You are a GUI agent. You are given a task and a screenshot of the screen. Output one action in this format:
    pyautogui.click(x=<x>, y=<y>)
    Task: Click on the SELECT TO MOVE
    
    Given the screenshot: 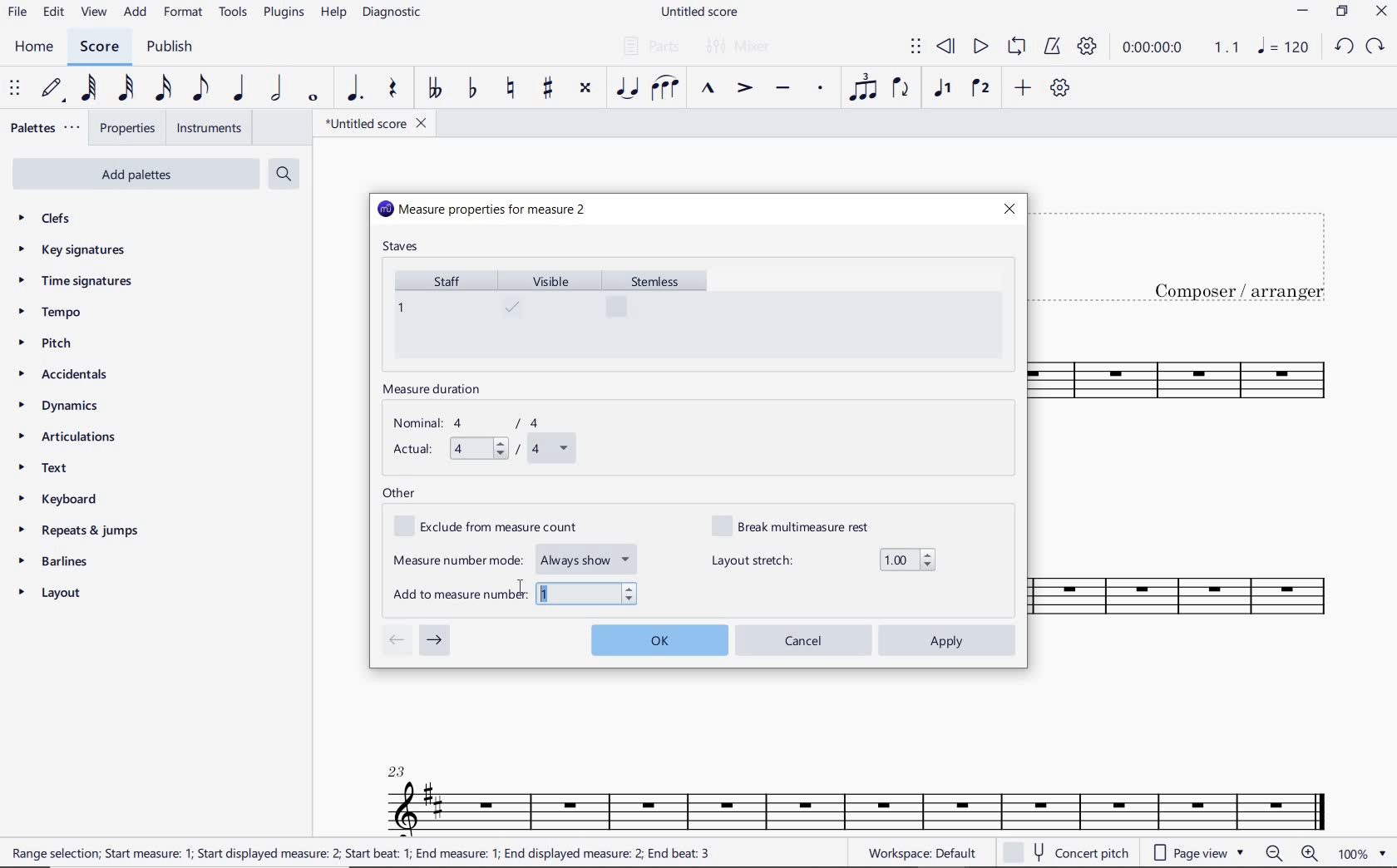 What is the action you would take?
    pyautogui.click(x=916, y=47)
    